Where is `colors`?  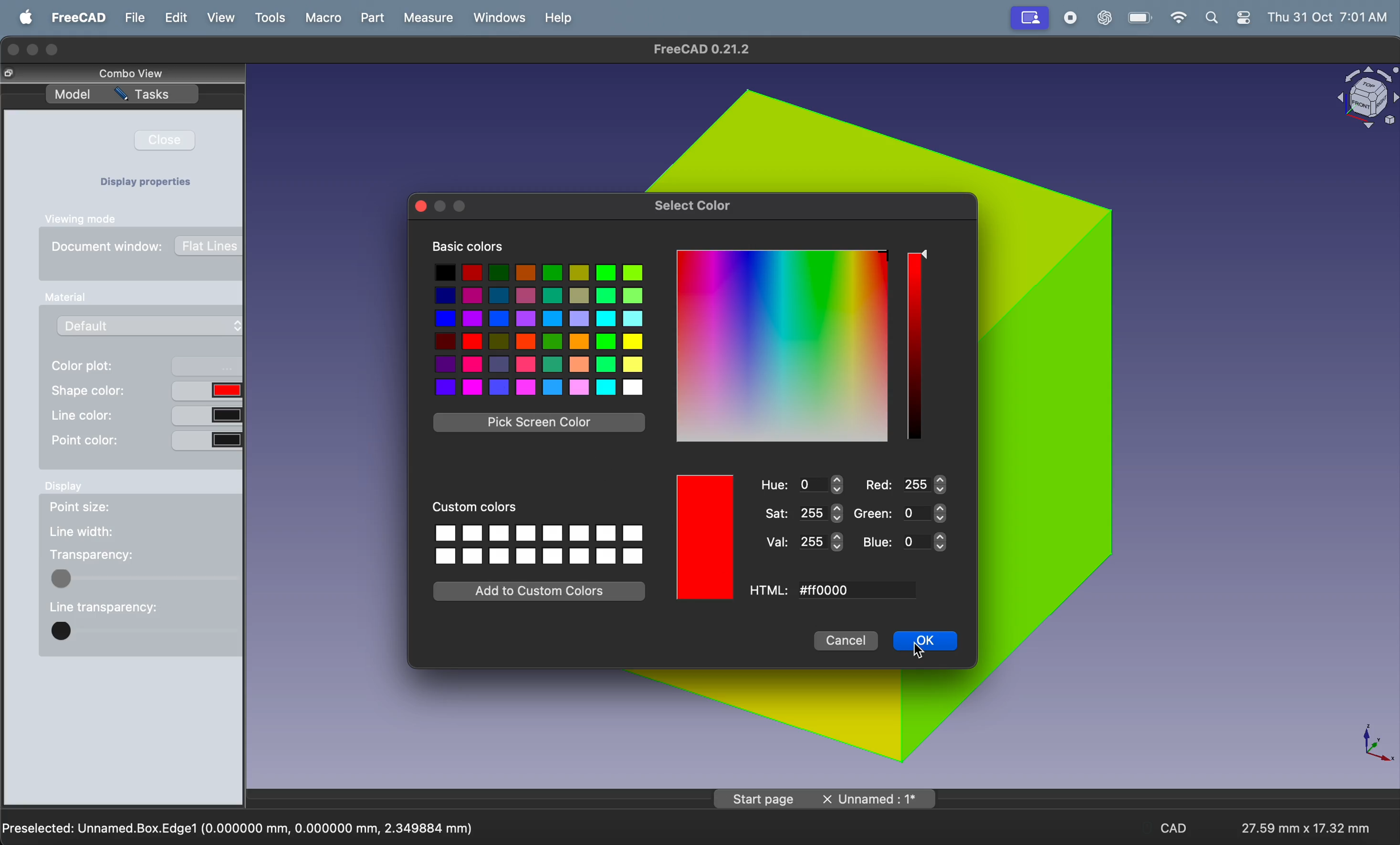 colors is located at coordinates (539, 329).